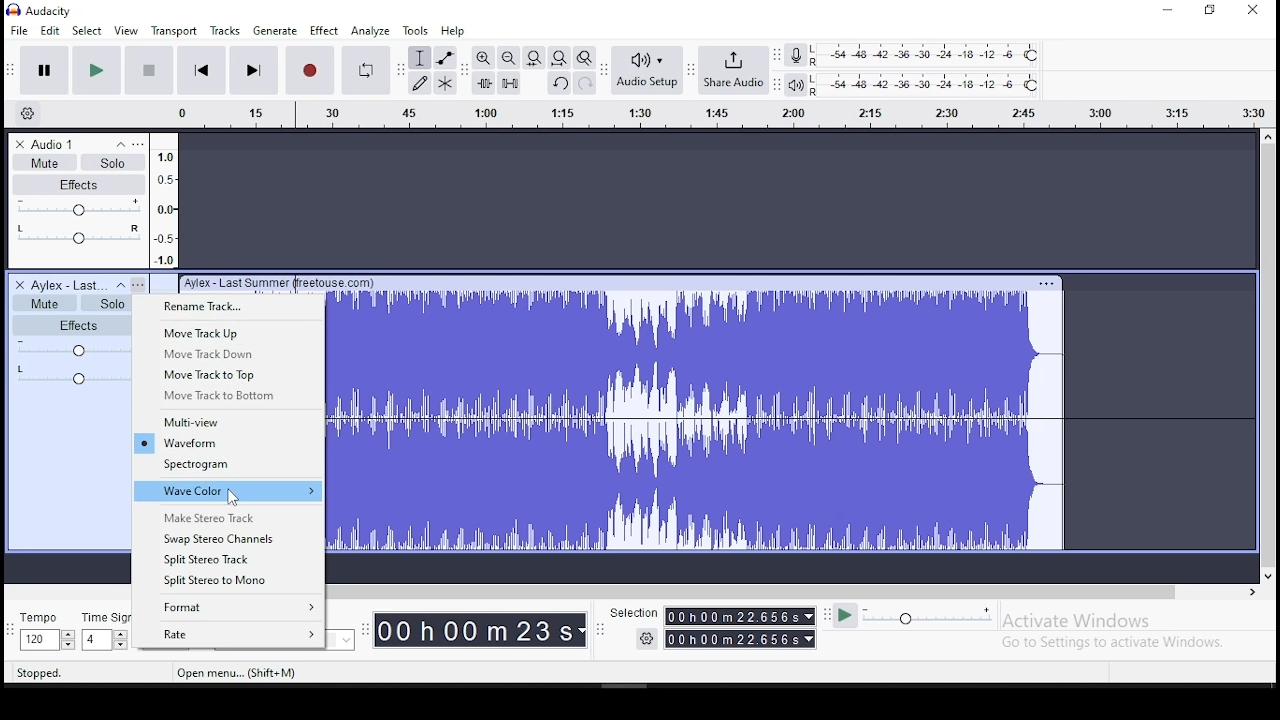 This screenshot has height=720, width=1280. What do you see at coordinates (796, 412) in the screenshot?
I see `track` at bounding box center [796, 412].